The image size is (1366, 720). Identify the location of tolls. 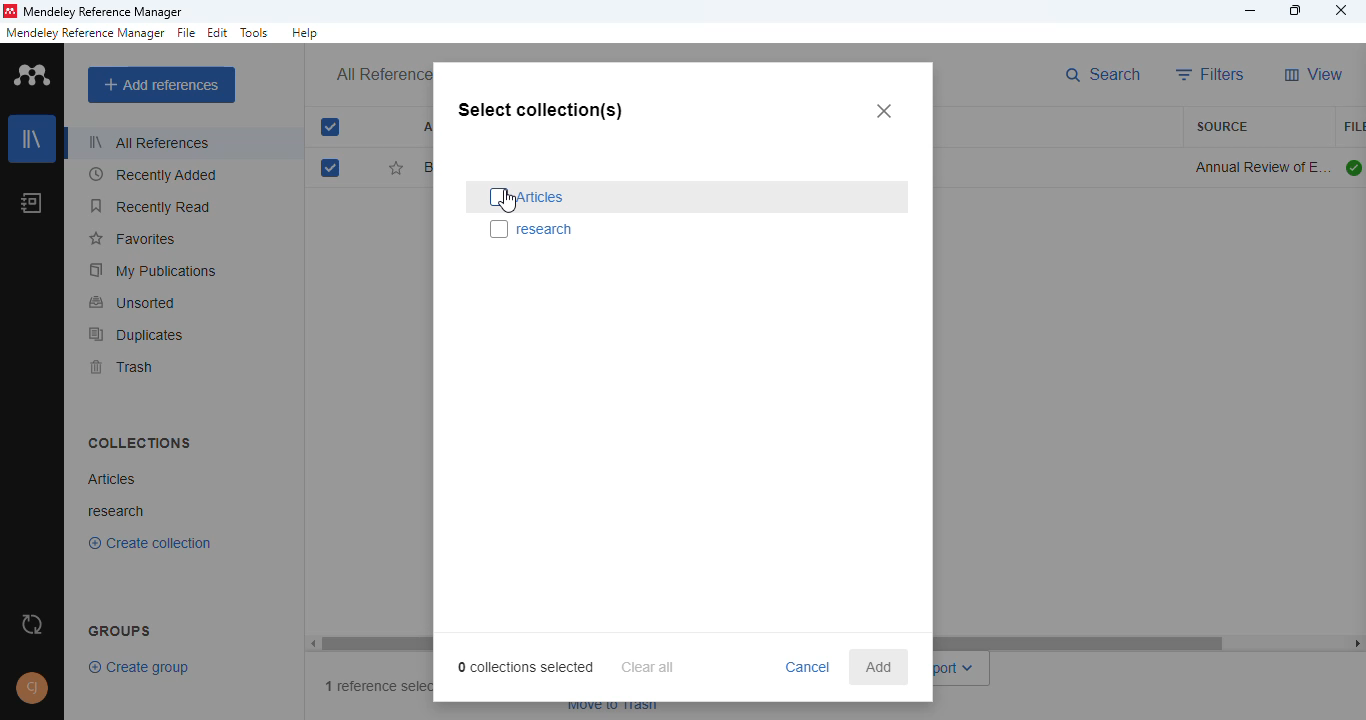
(256, 33).